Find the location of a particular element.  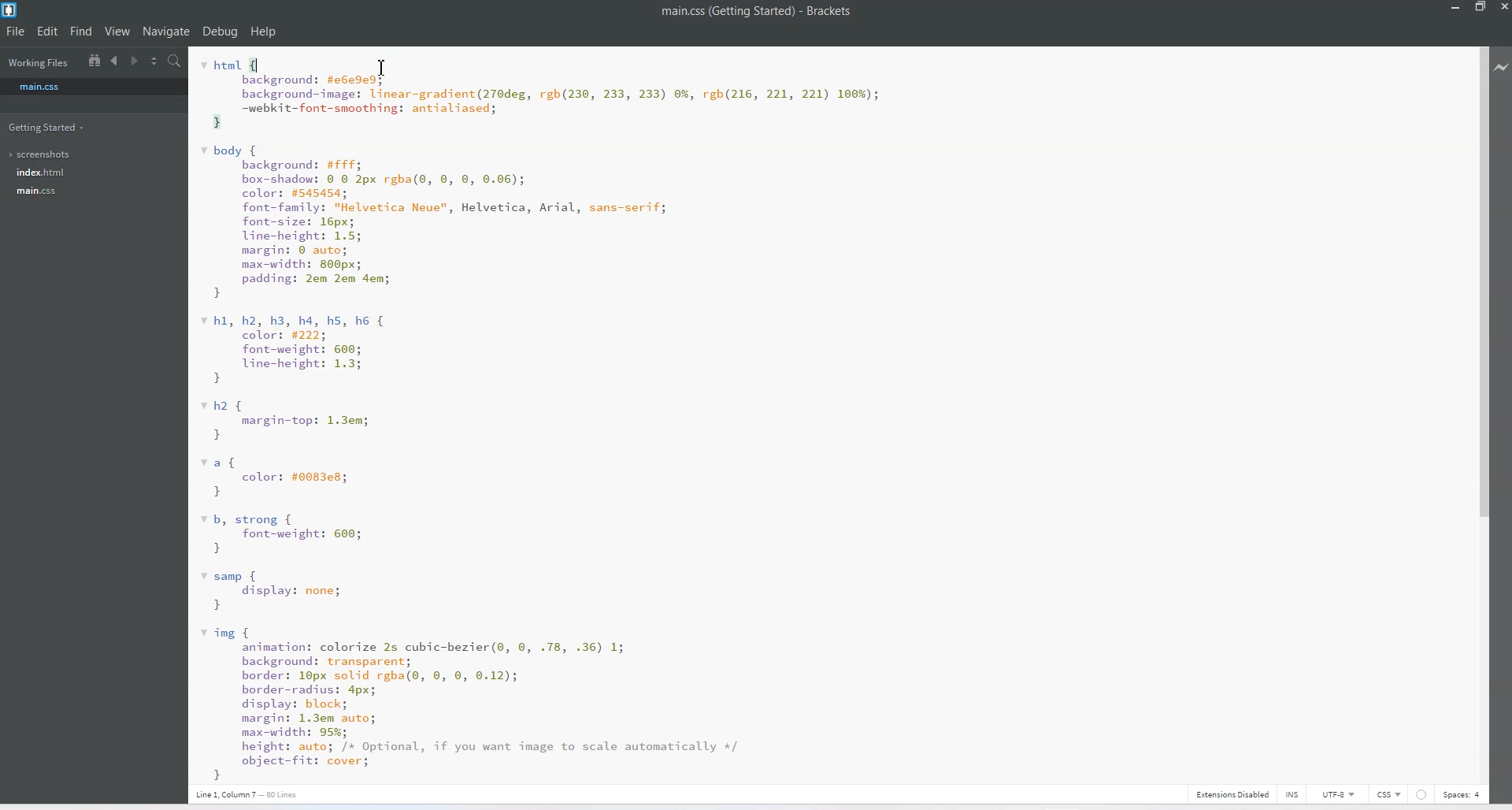

Extensions Disabled is located at coordinates (1232, 795).